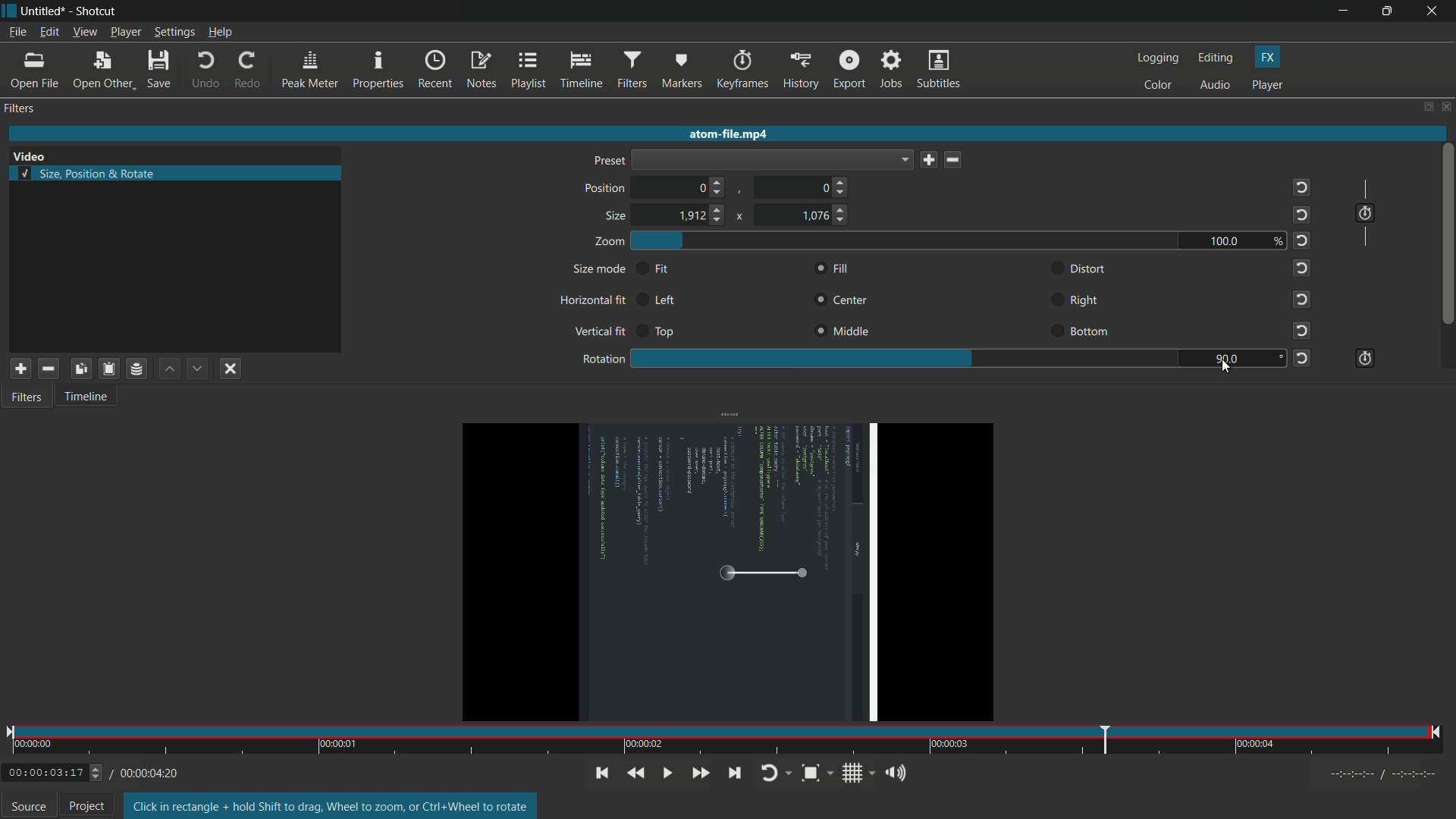 Image resolution: width=1456 pixels, height=819 pixels. Describe the element at coordinates (95, 13) in the screenshot. I see `shotcut` at that location.